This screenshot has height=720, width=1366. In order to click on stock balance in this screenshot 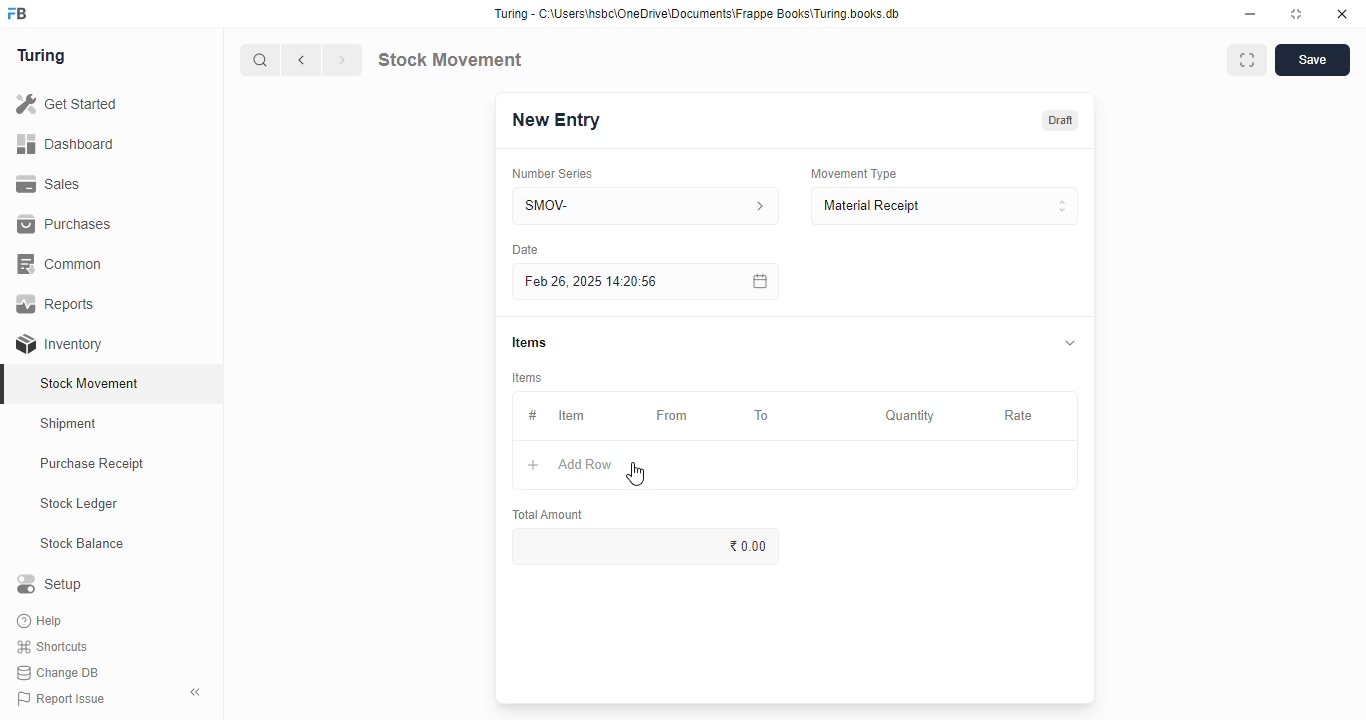, I will do `click(83, 544)`.